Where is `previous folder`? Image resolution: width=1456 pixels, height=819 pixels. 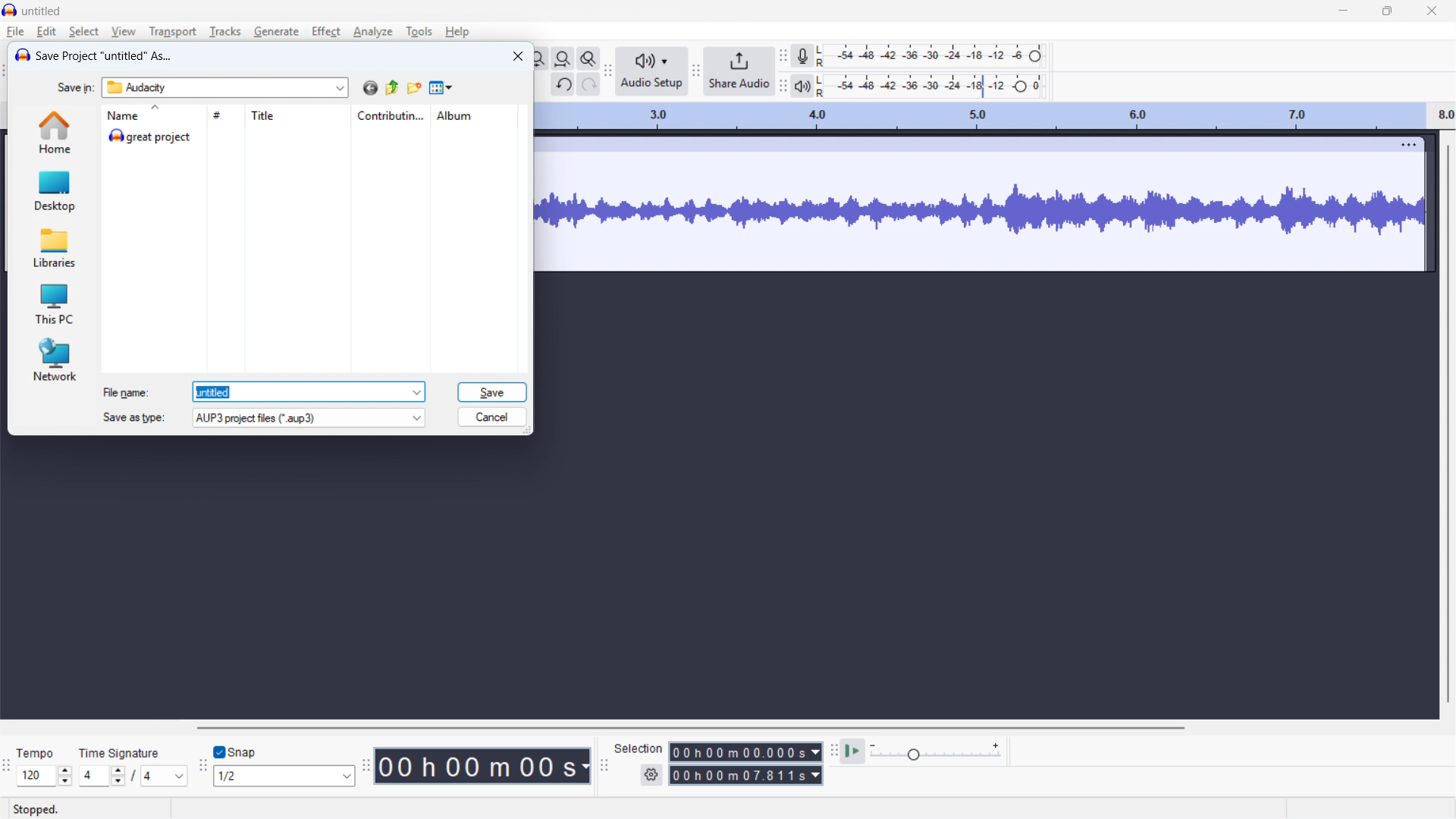
previous folder is located at coordinates (392, 88).